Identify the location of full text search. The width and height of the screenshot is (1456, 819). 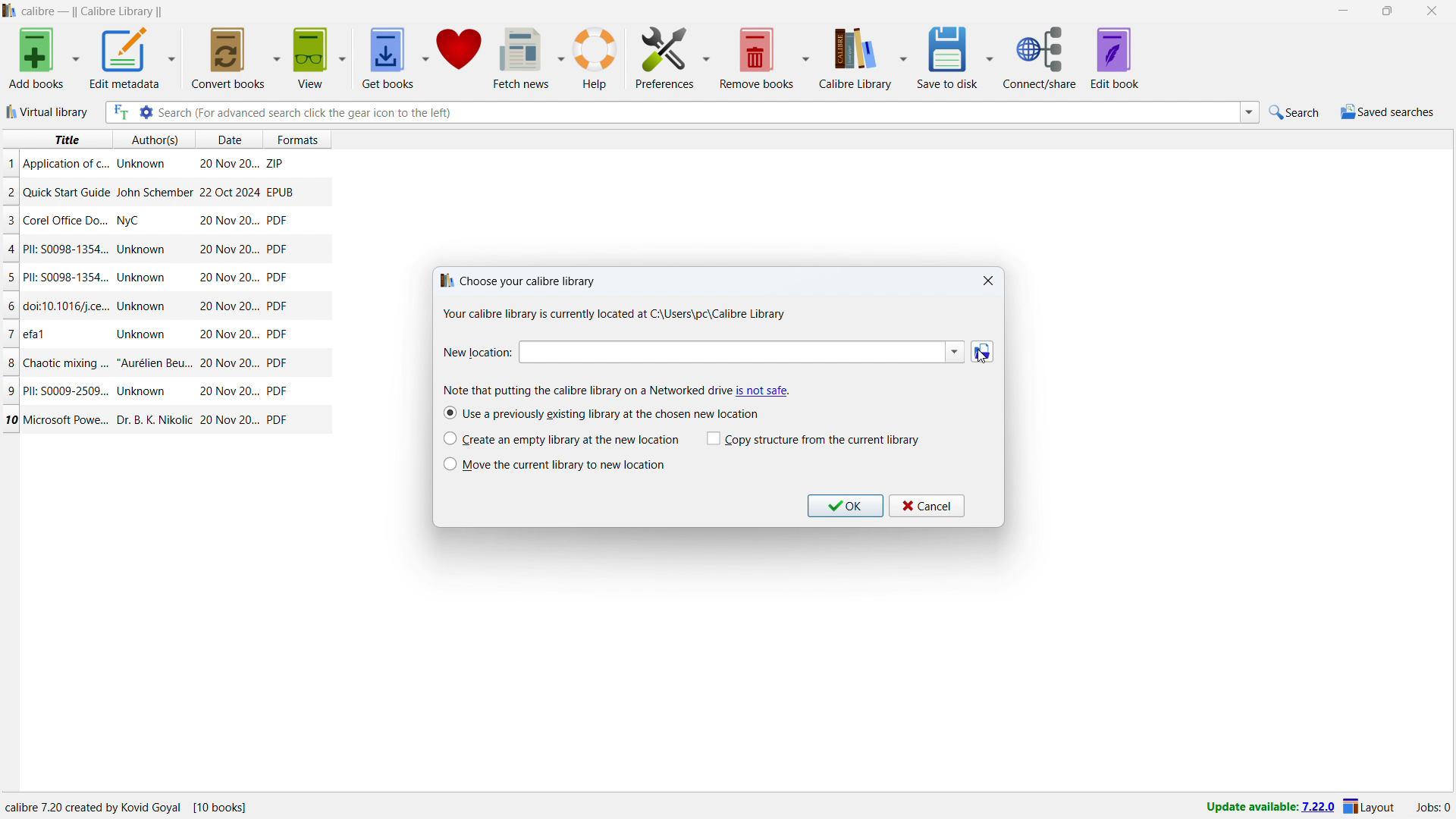
(119, 112).